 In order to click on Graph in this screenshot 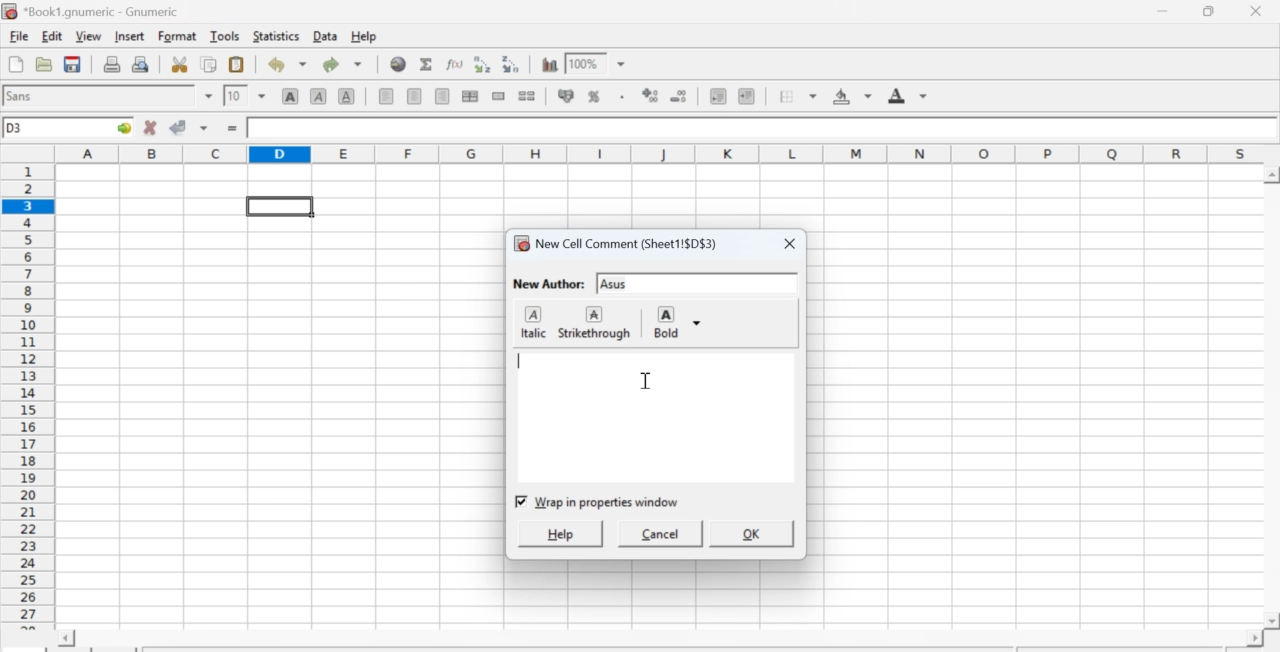, I will do `click(550, 63)`.